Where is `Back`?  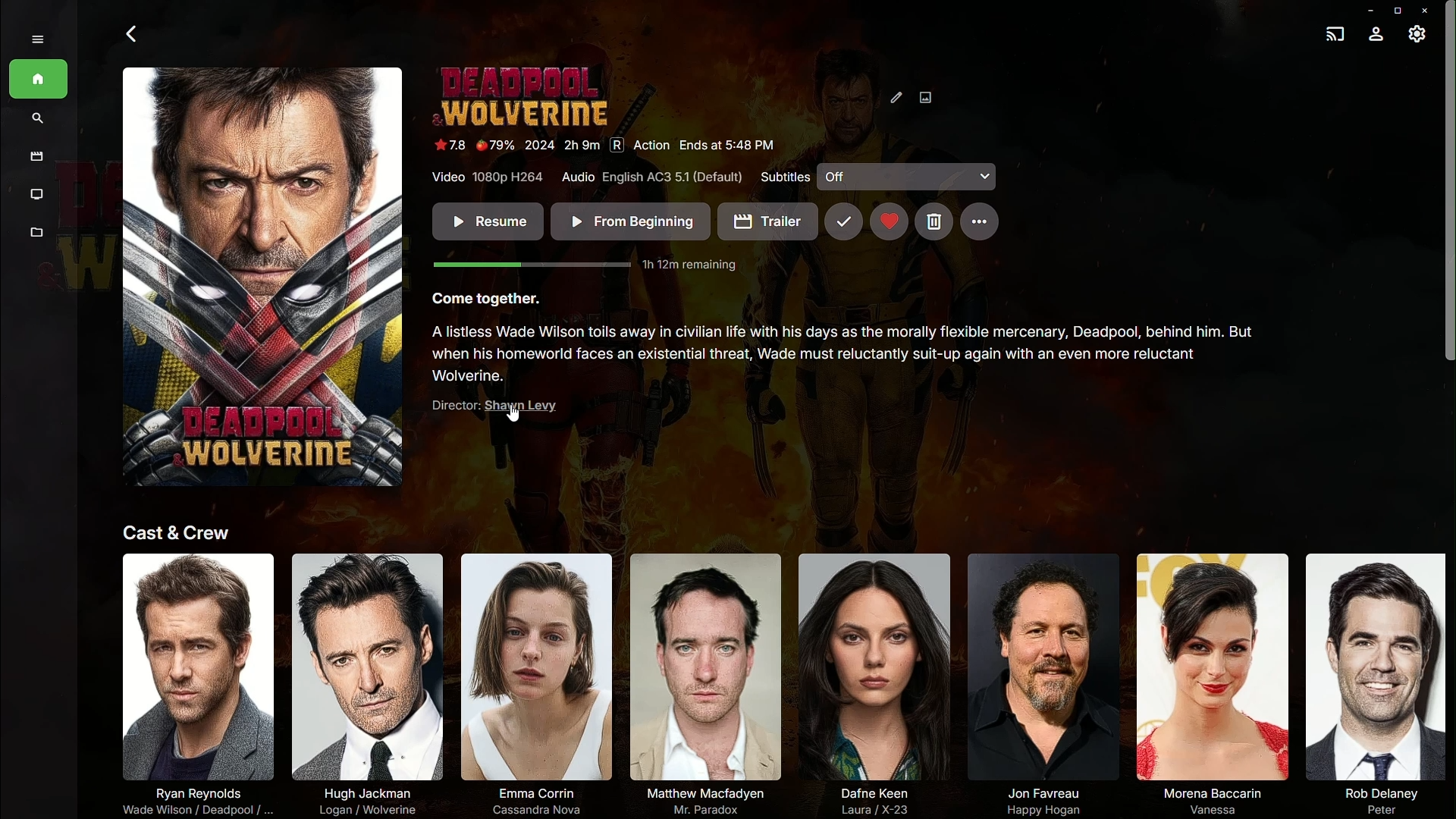 Back is located at coordinates (133, 34).